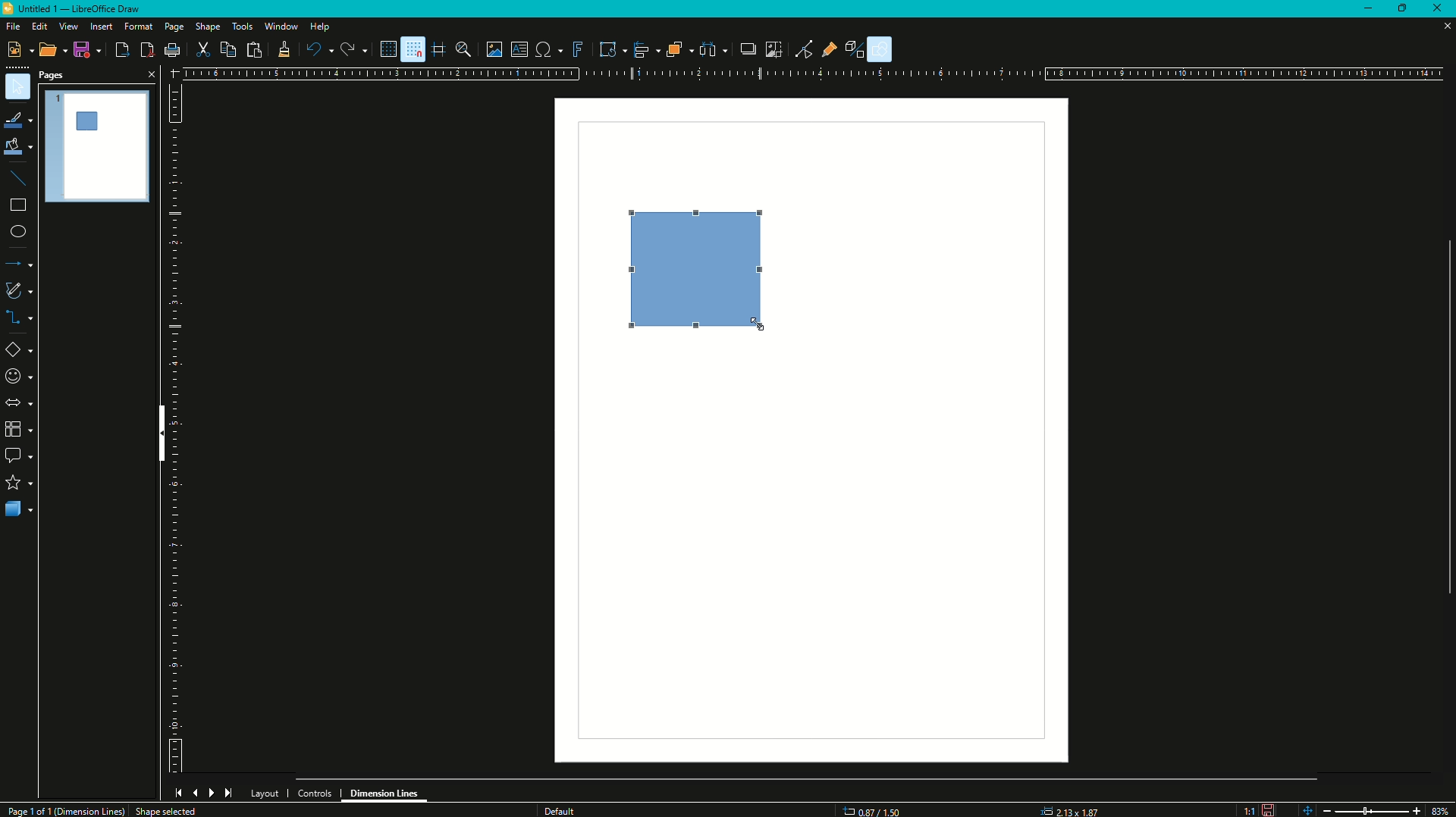 The width and height of the screenshot is (1456, 817). Describe the element at coordinates (318, 50) in the screenshot. I see `Undo` at that location.